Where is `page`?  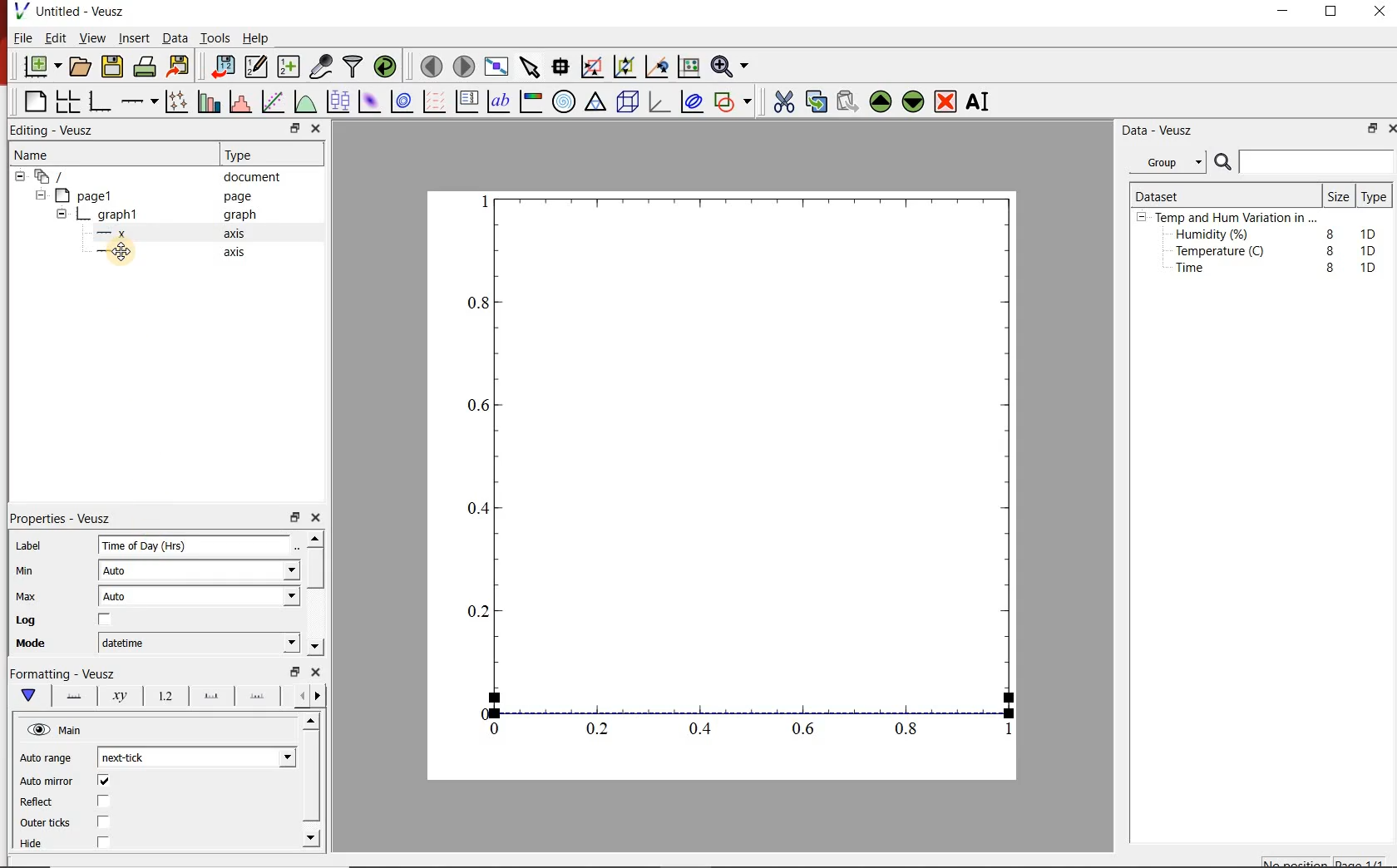
page is located at coordinates (241, 197).